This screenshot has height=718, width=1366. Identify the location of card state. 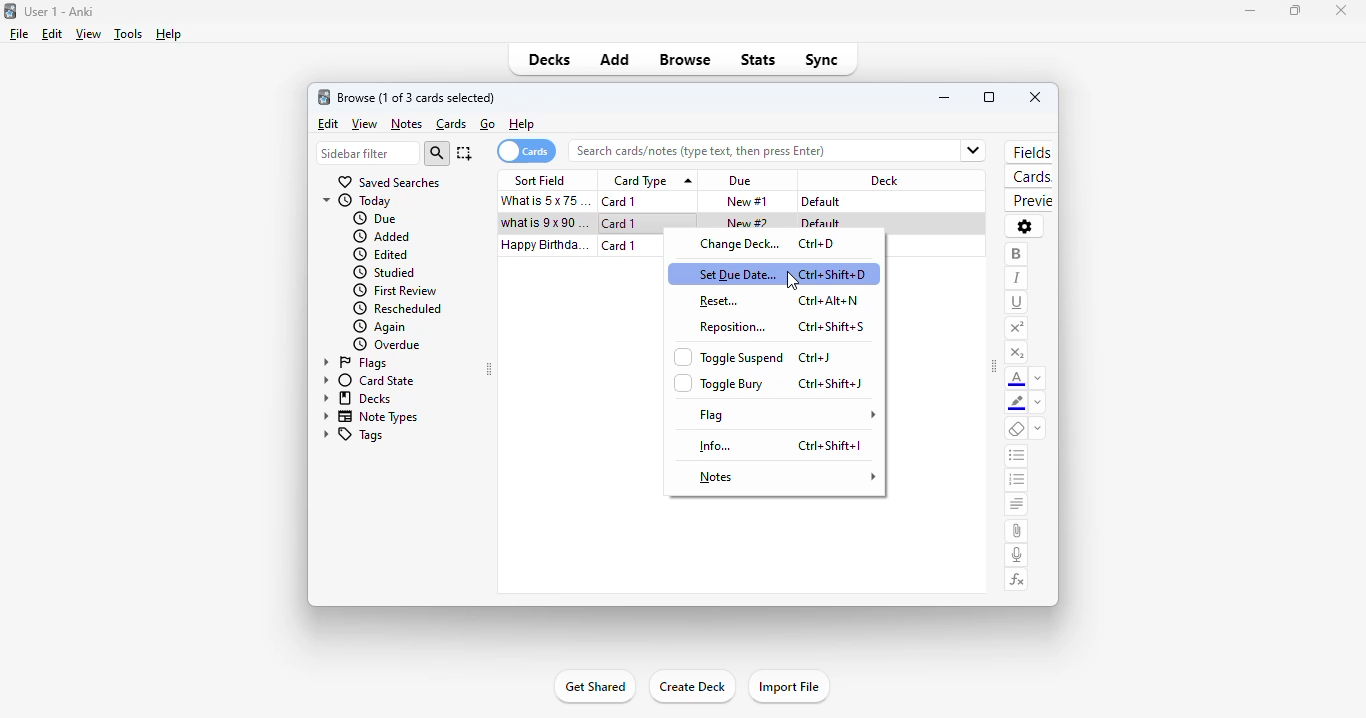
(366, 381).